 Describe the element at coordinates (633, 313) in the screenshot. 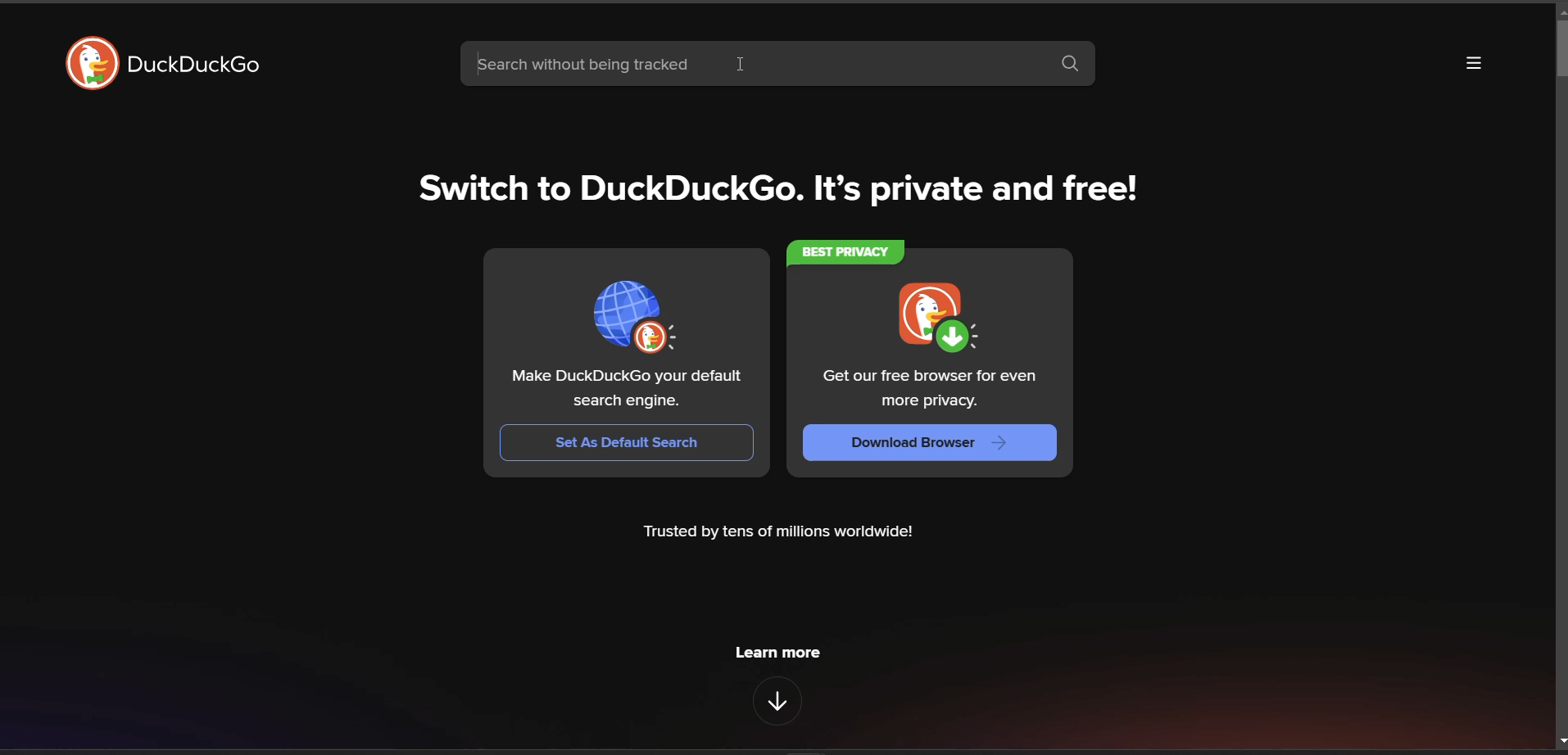

I see `logo` at that location.